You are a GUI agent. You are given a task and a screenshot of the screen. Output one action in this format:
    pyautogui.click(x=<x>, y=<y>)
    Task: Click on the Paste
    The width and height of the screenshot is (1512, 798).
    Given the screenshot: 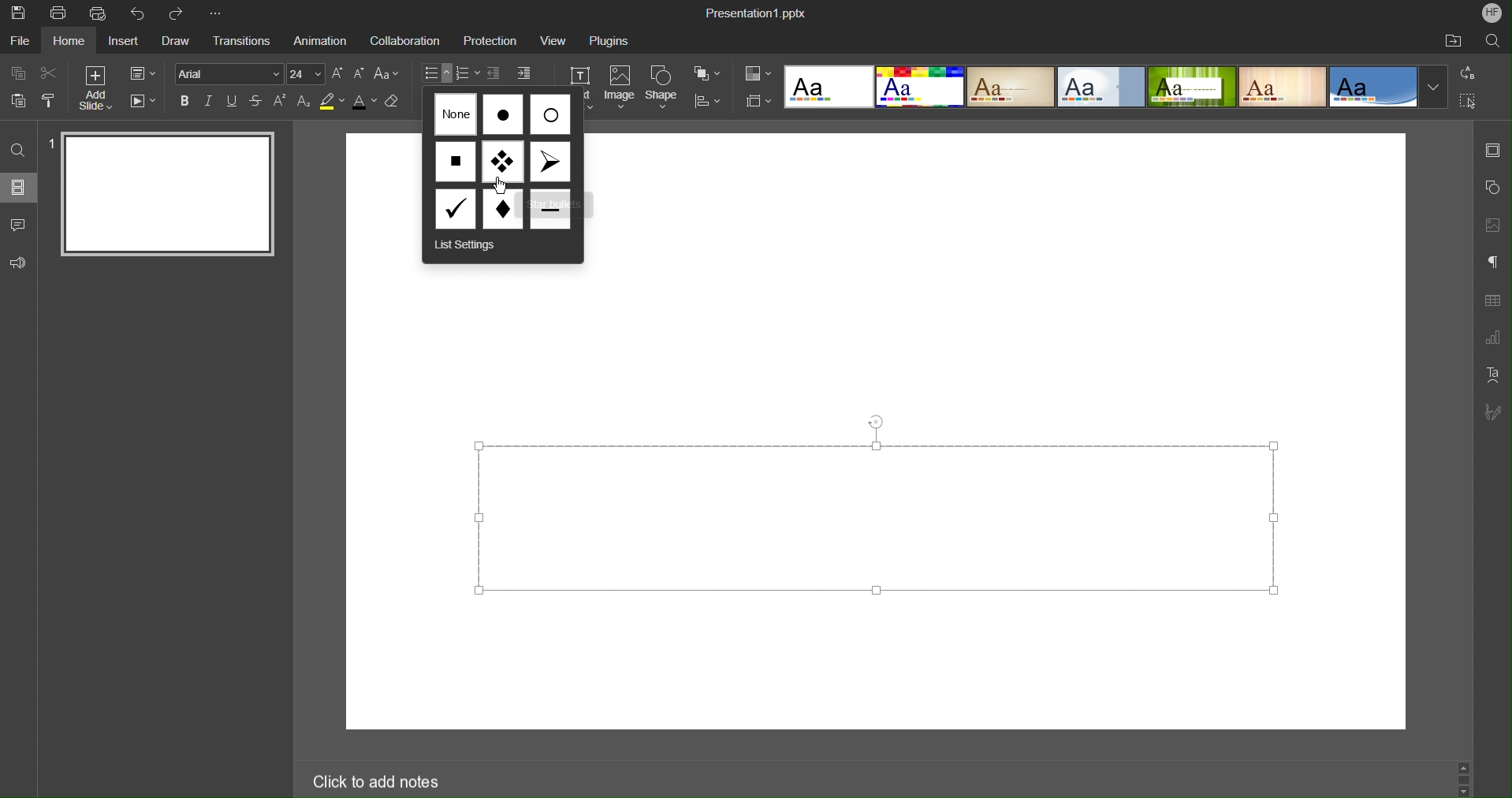 What is the action you would take?
    pyautogui.click(x=16, y=101)
    